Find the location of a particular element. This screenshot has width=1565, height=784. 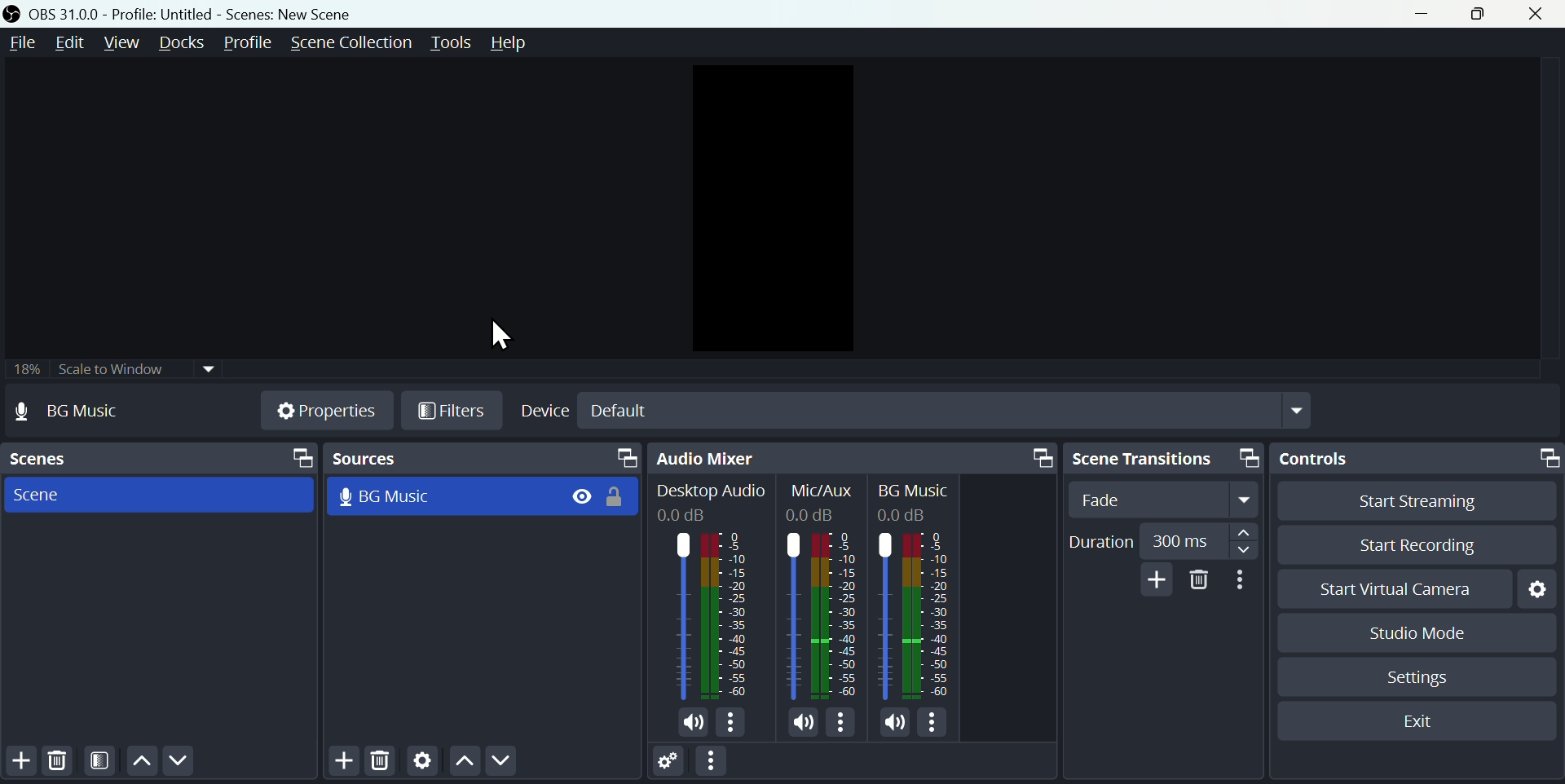

Settings is located at coordinates (1537, 592).